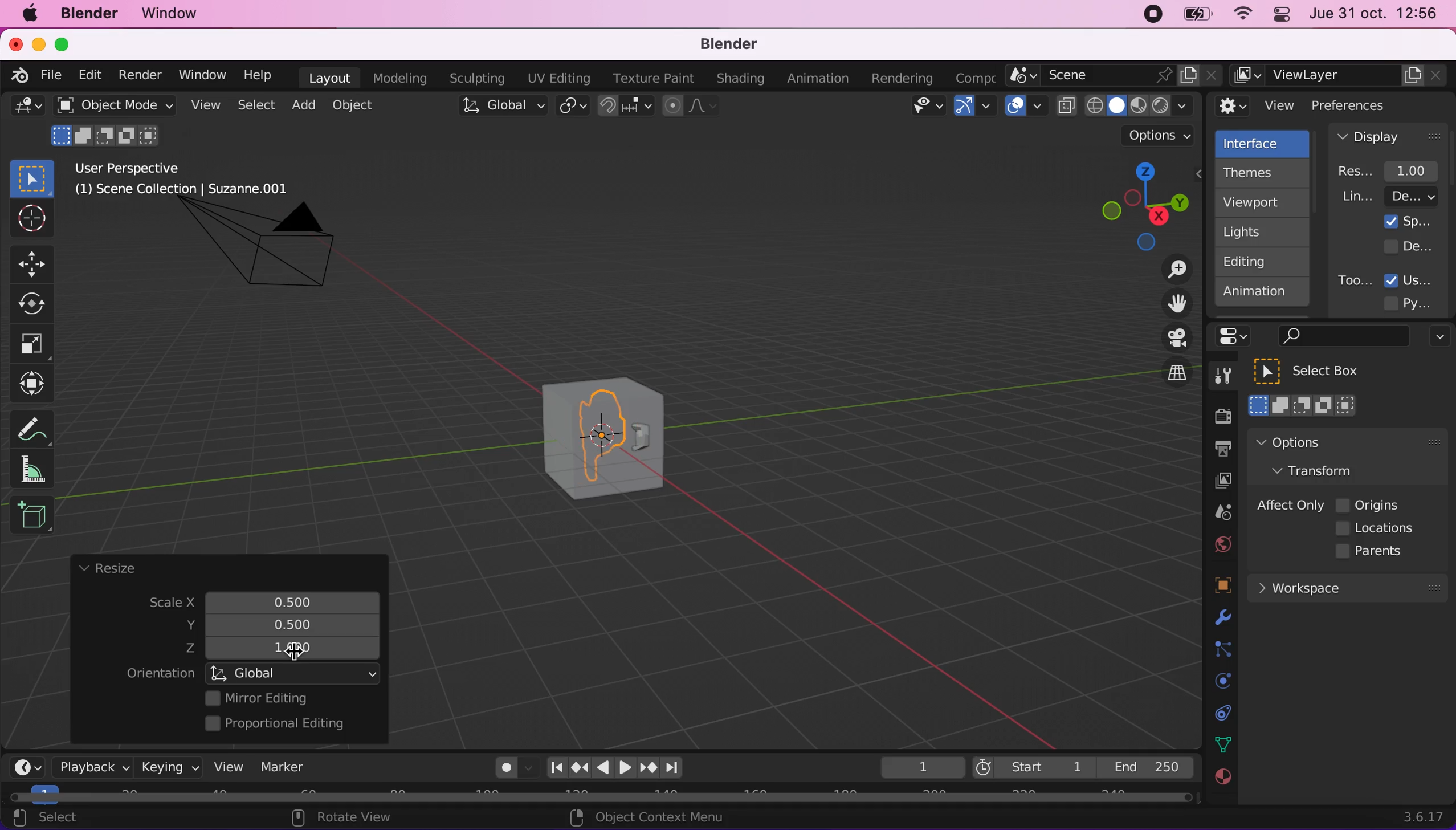 This screenshot has height=830, width=1456. Describe the element at coordinates (398, 79) in the screenshot. I see `modeling` at that location.